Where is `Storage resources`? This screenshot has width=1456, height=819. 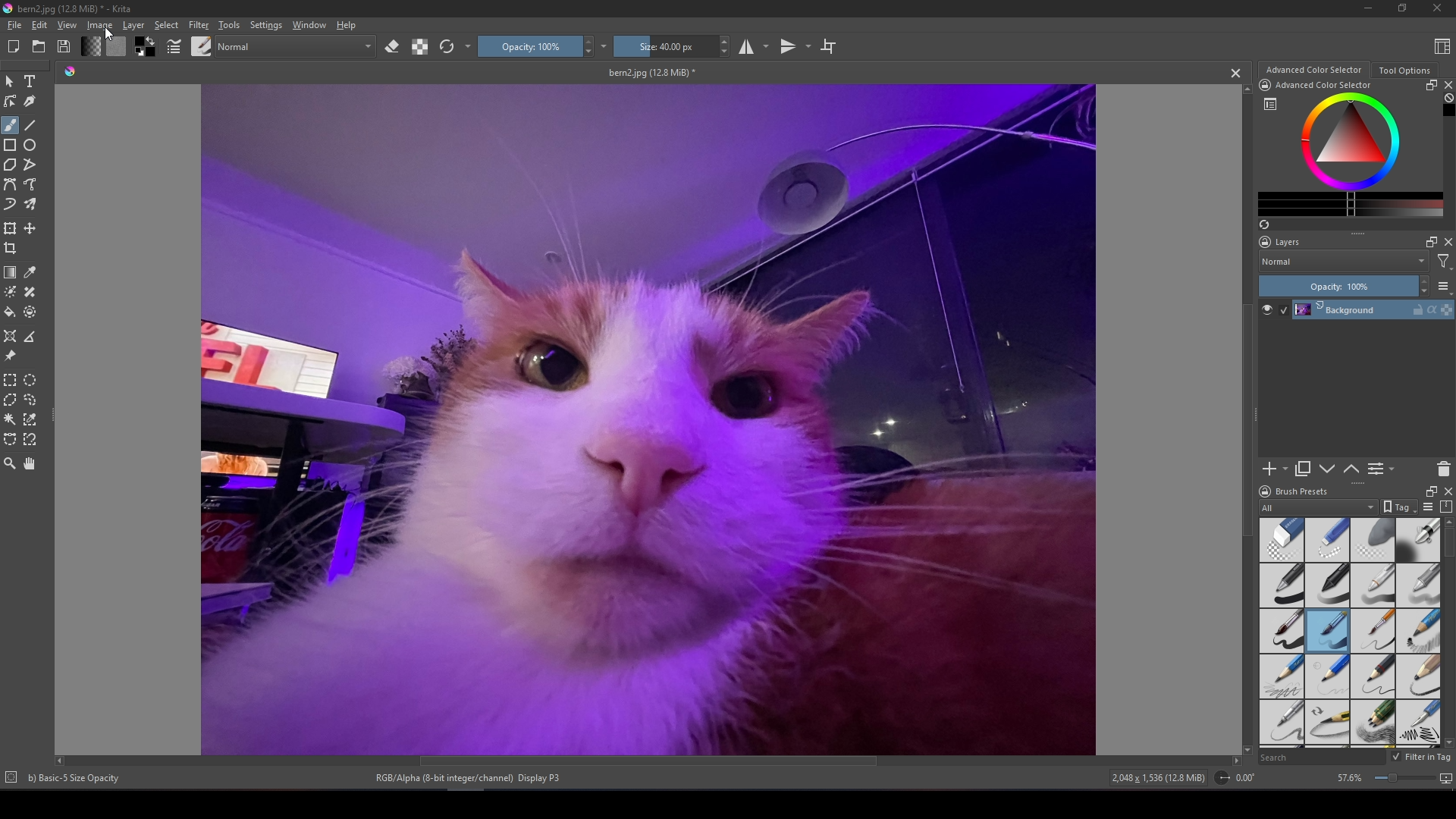 Storage resources is located at coordinates (1447, 507).